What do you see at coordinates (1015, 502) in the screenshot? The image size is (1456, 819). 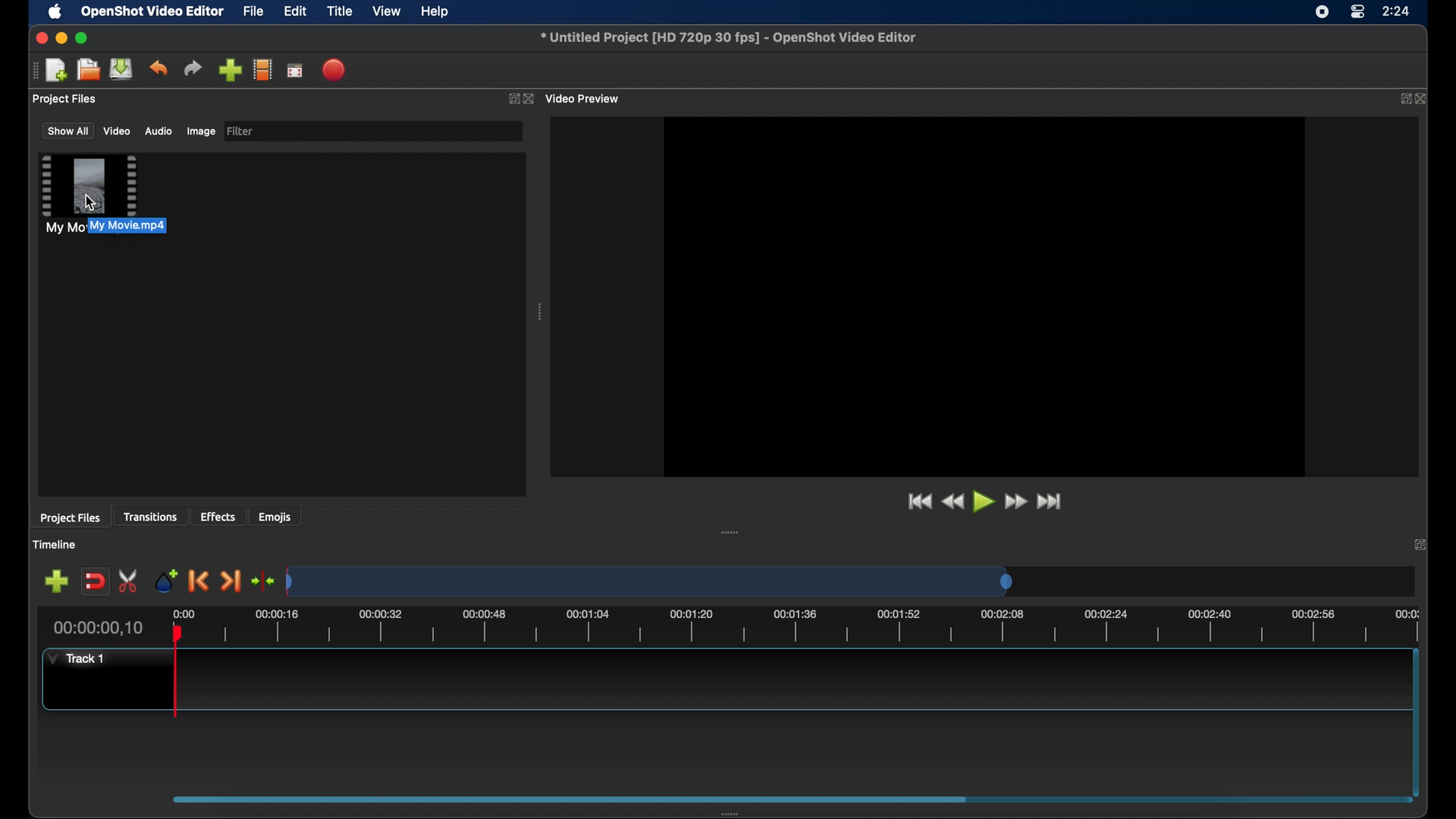 I see `fast for` at bounding box center [1015, 502].